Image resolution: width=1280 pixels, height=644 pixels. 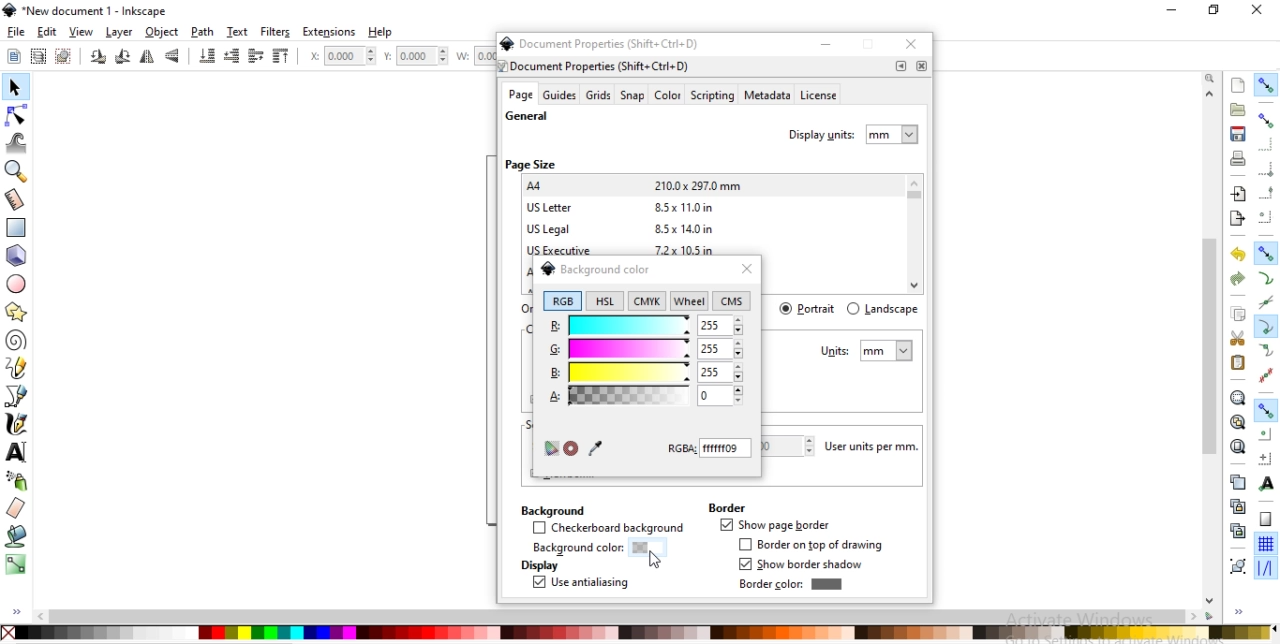 I want to click on erase existing paths, so click(x=16, y=507).